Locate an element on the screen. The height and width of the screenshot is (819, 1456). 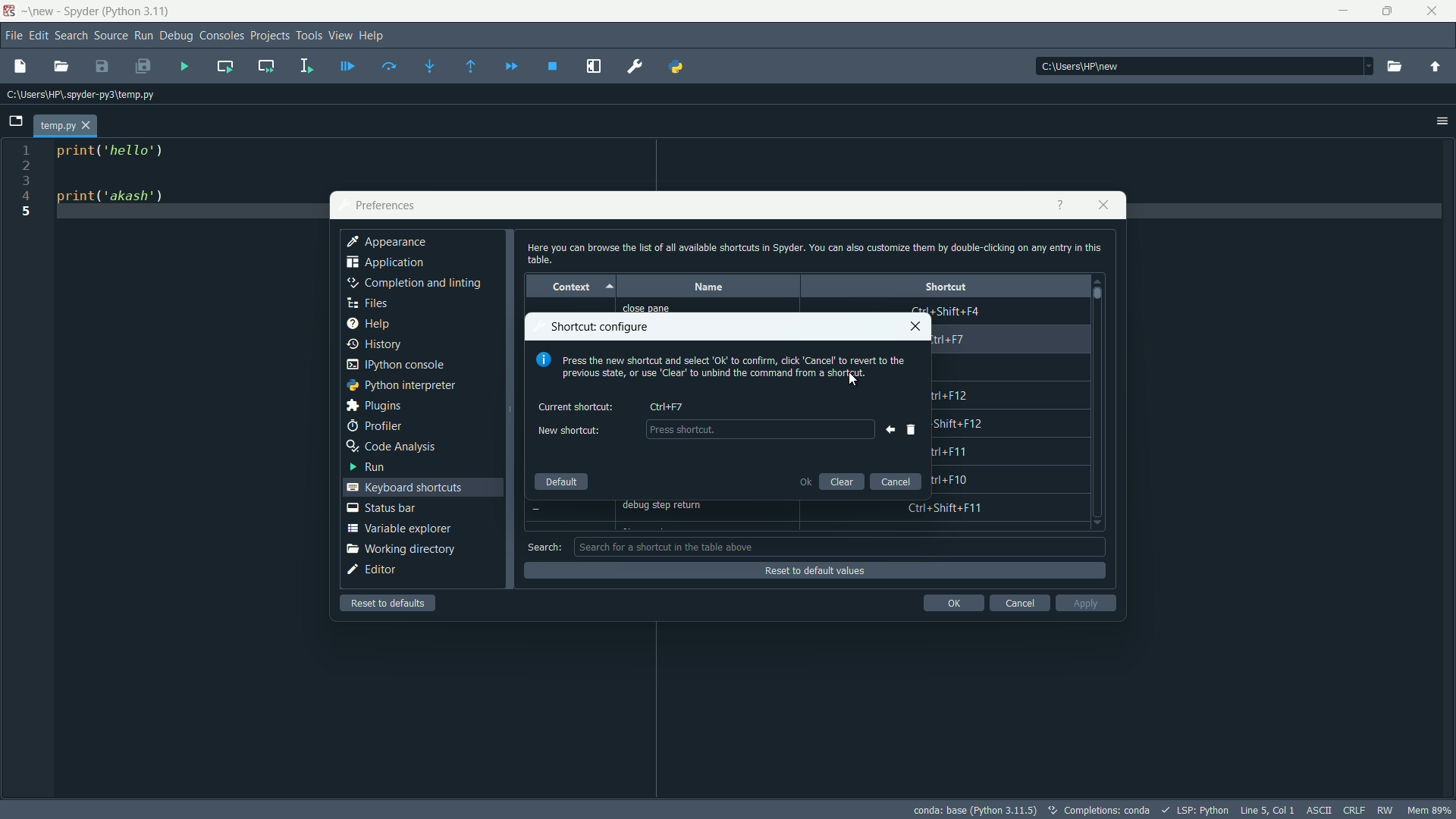
file tab is located at coordinates (64, 126).